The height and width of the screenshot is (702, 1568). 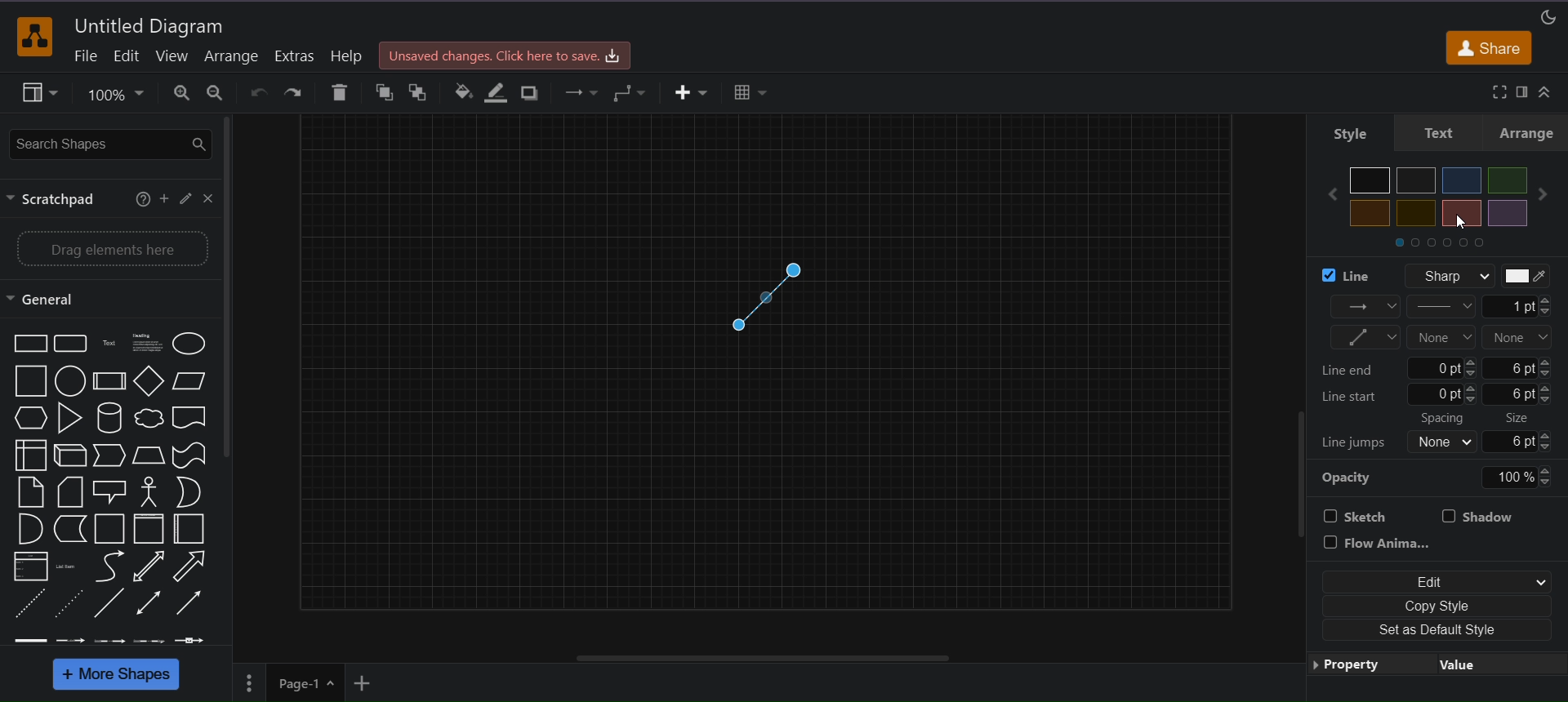 What do you see at coordinates (172, 56) in the screenshot?
I see `view` at bounding box center [172, 56].